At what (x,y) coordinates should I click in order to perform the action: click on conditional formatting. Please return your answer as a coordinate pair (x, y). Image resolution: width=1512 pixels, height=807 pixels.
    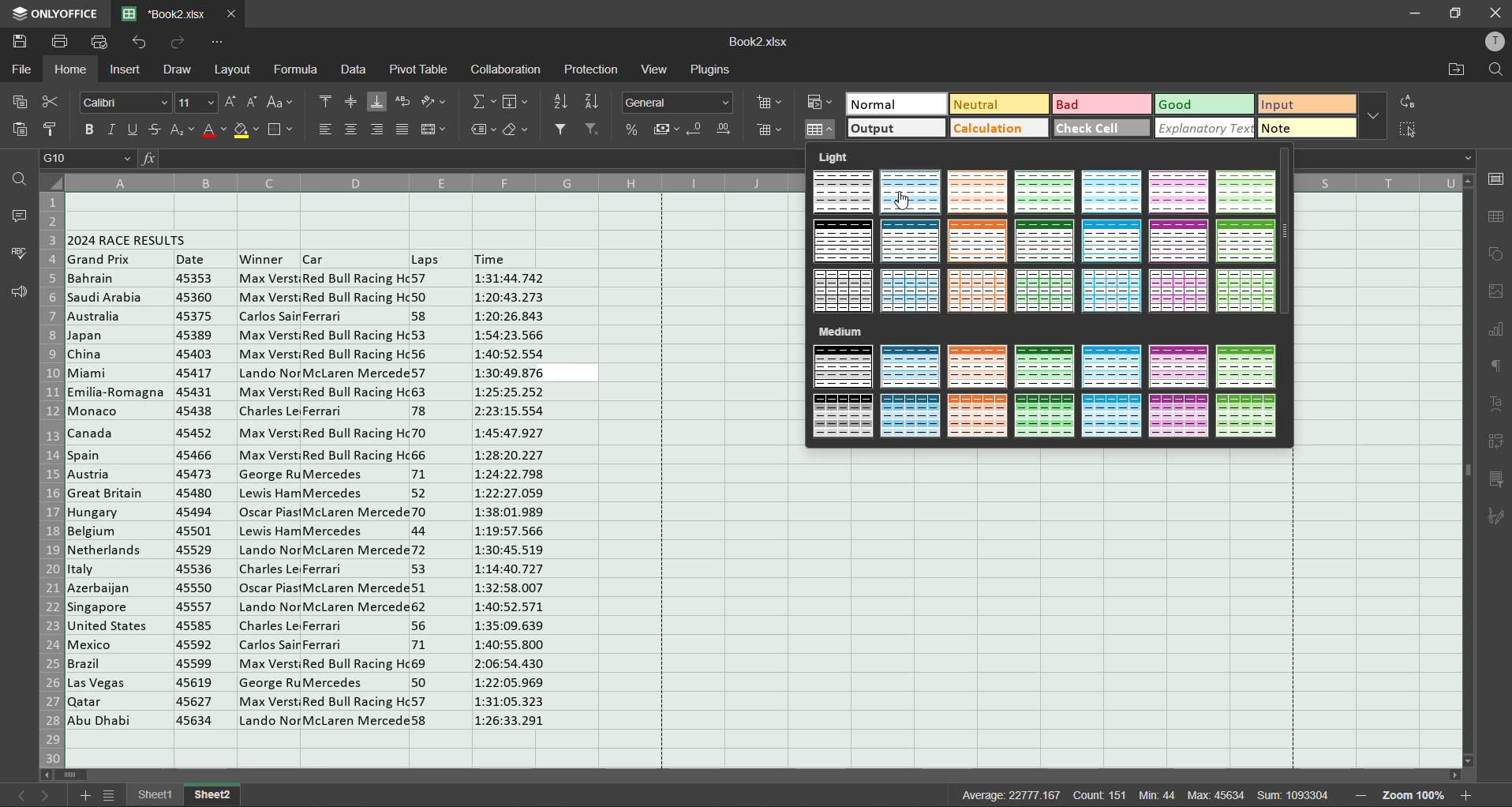
    Looking at the image, I should click on (818, 100).